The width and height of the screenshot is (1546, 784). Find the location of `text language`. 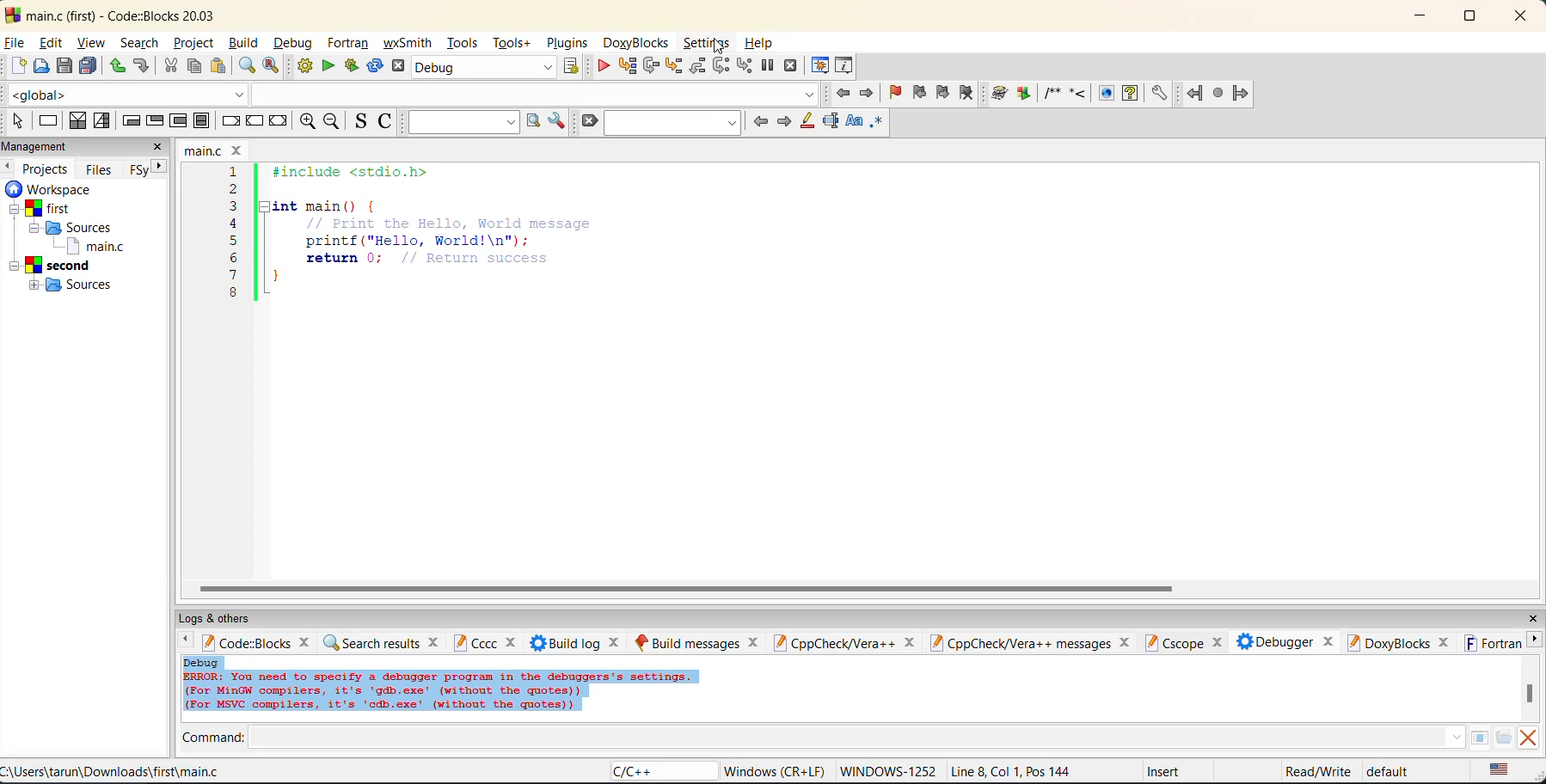

text language is located at coordinates (1500, 770).